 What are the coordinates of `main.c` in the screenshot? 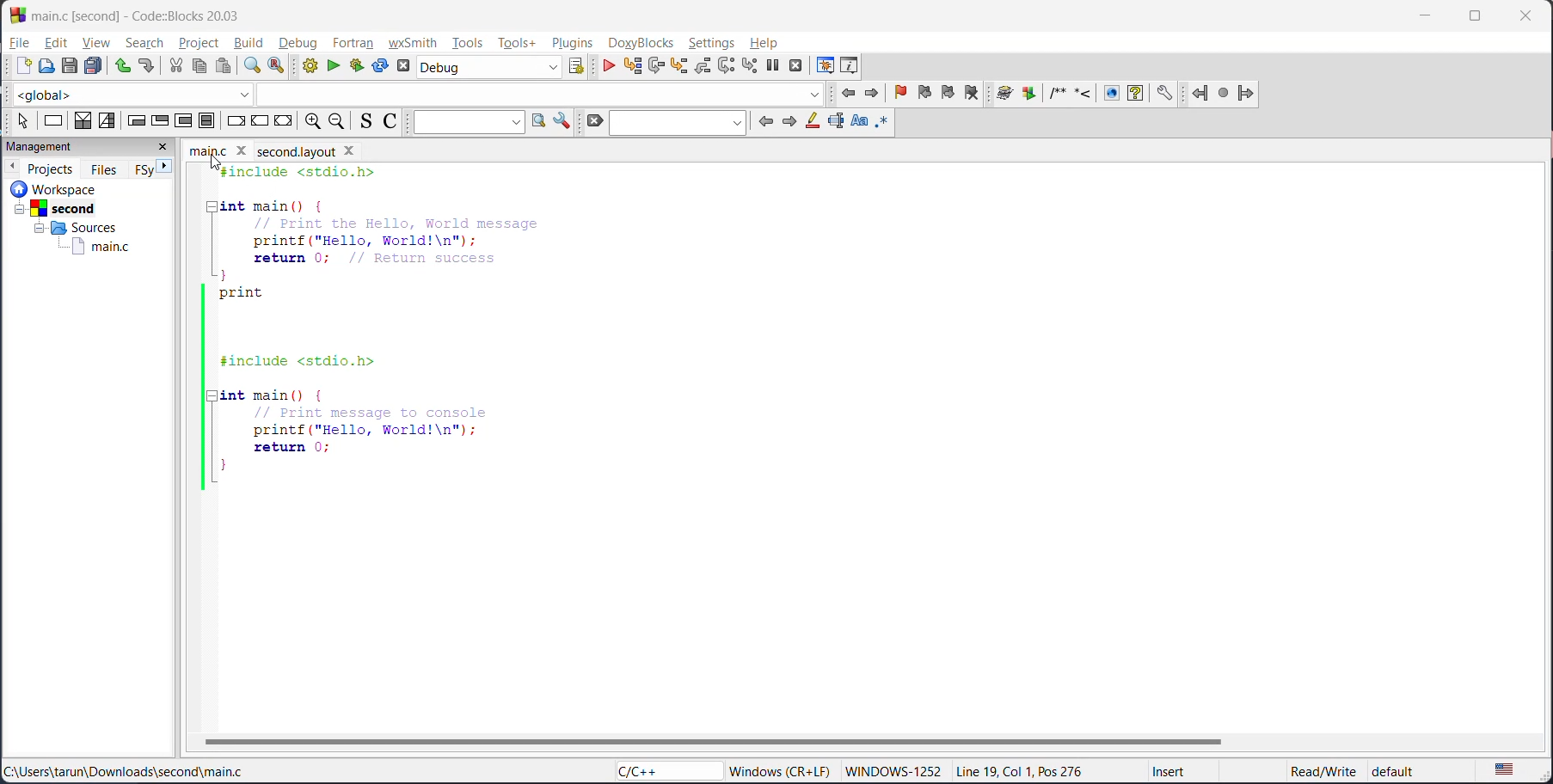 It's located at (101, 248).